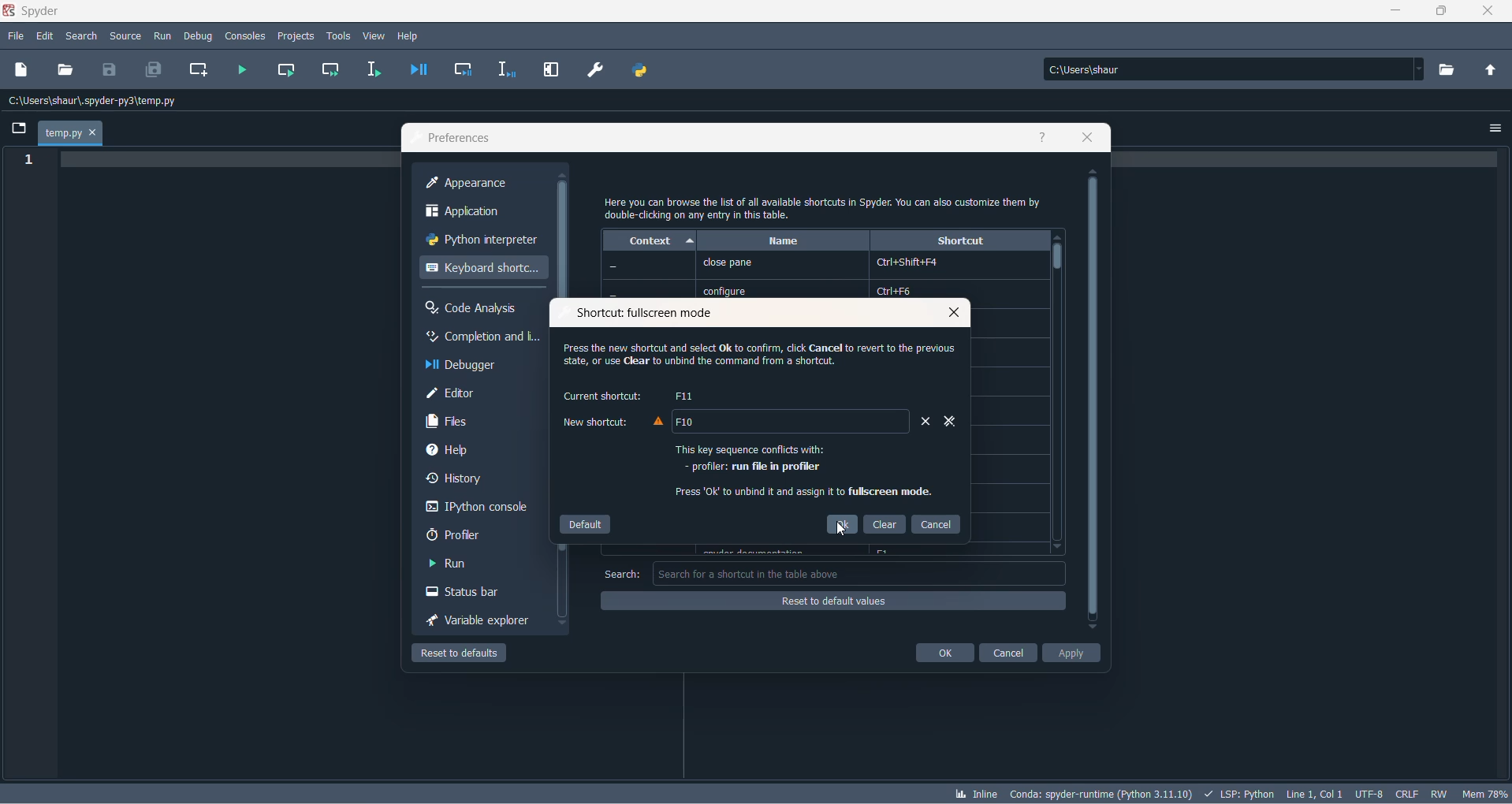 Image resolution: width=1512 pixels, height=804 pixels. What do you see at coordinates (798, 472) in the screenshot?
I see `text` at bounding box center [798, 472].